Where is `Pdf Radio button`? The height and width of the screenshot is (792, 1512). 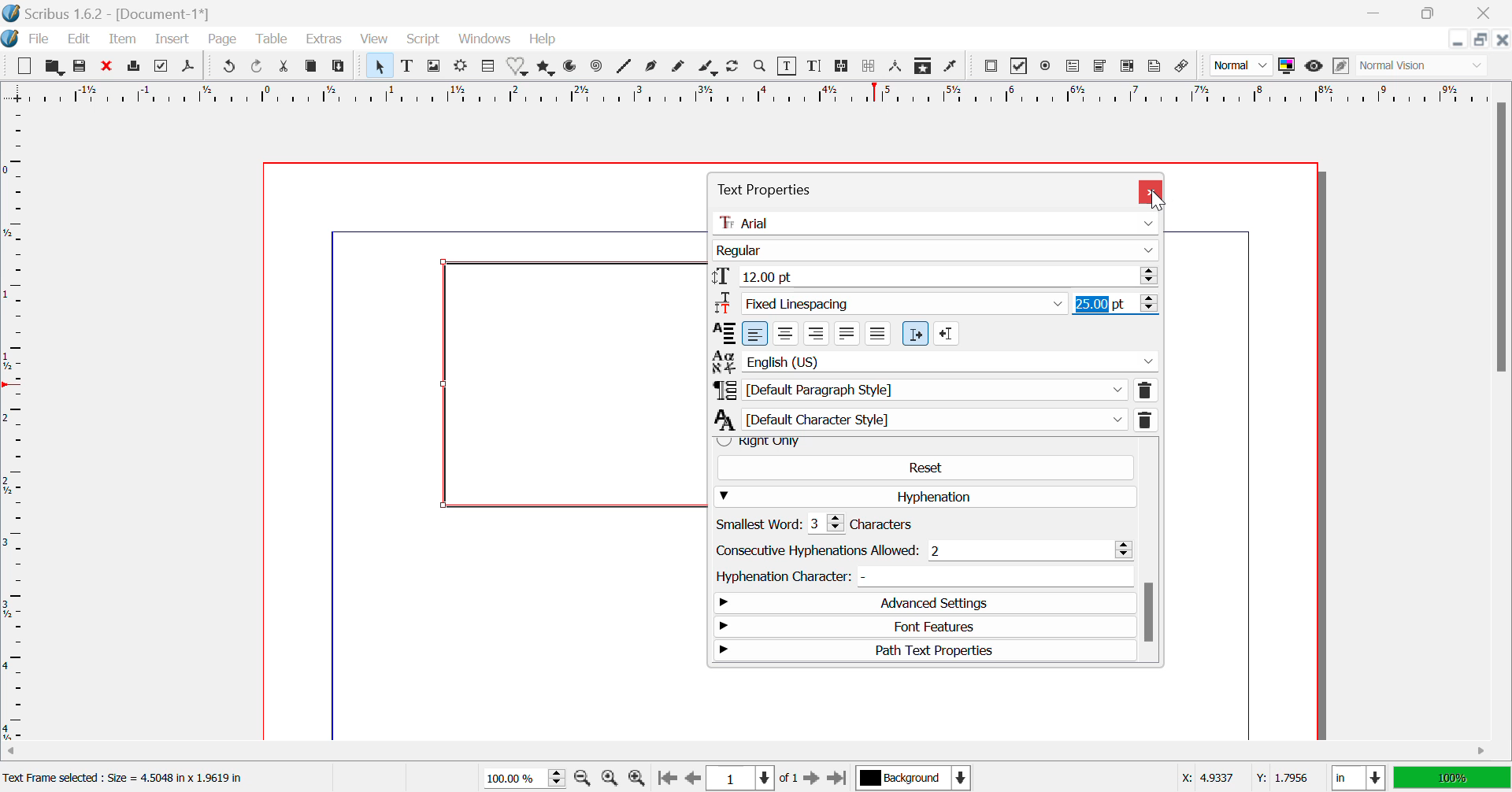 Pdf Radio button is located at coordinates (1048, 66).